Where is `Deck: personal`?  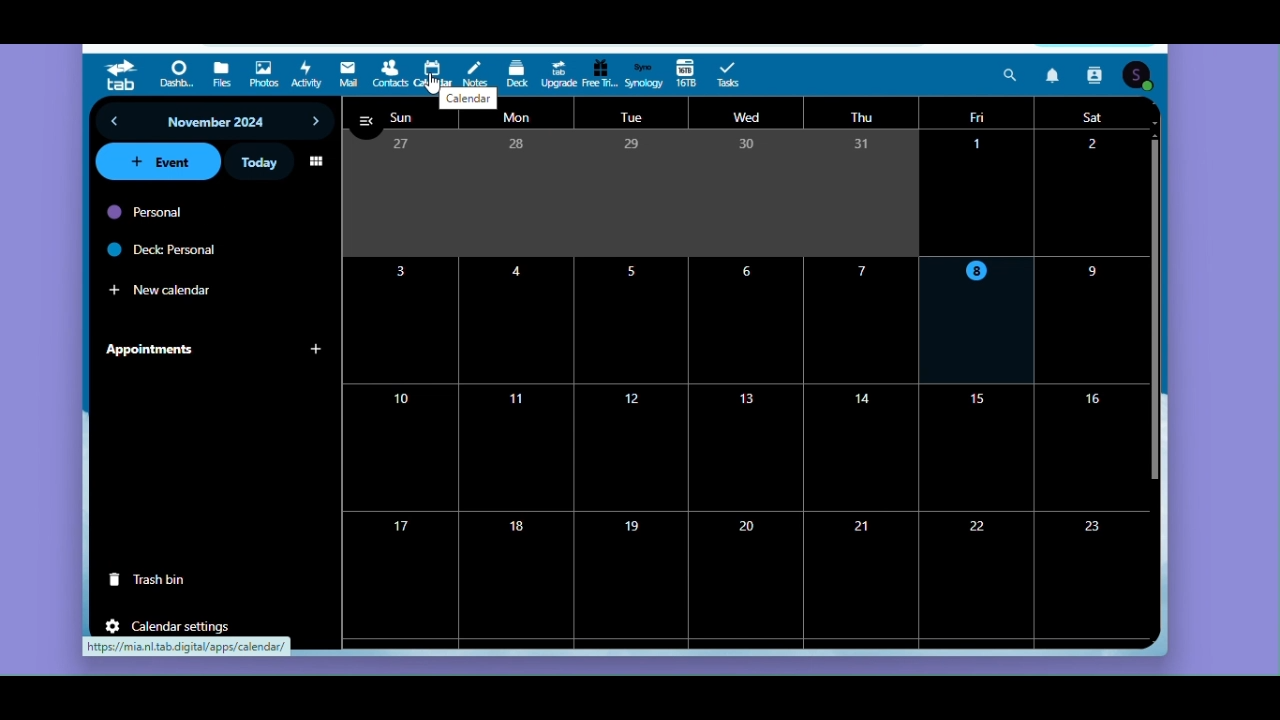 Deck: personal is located at coordinates (184, 249).